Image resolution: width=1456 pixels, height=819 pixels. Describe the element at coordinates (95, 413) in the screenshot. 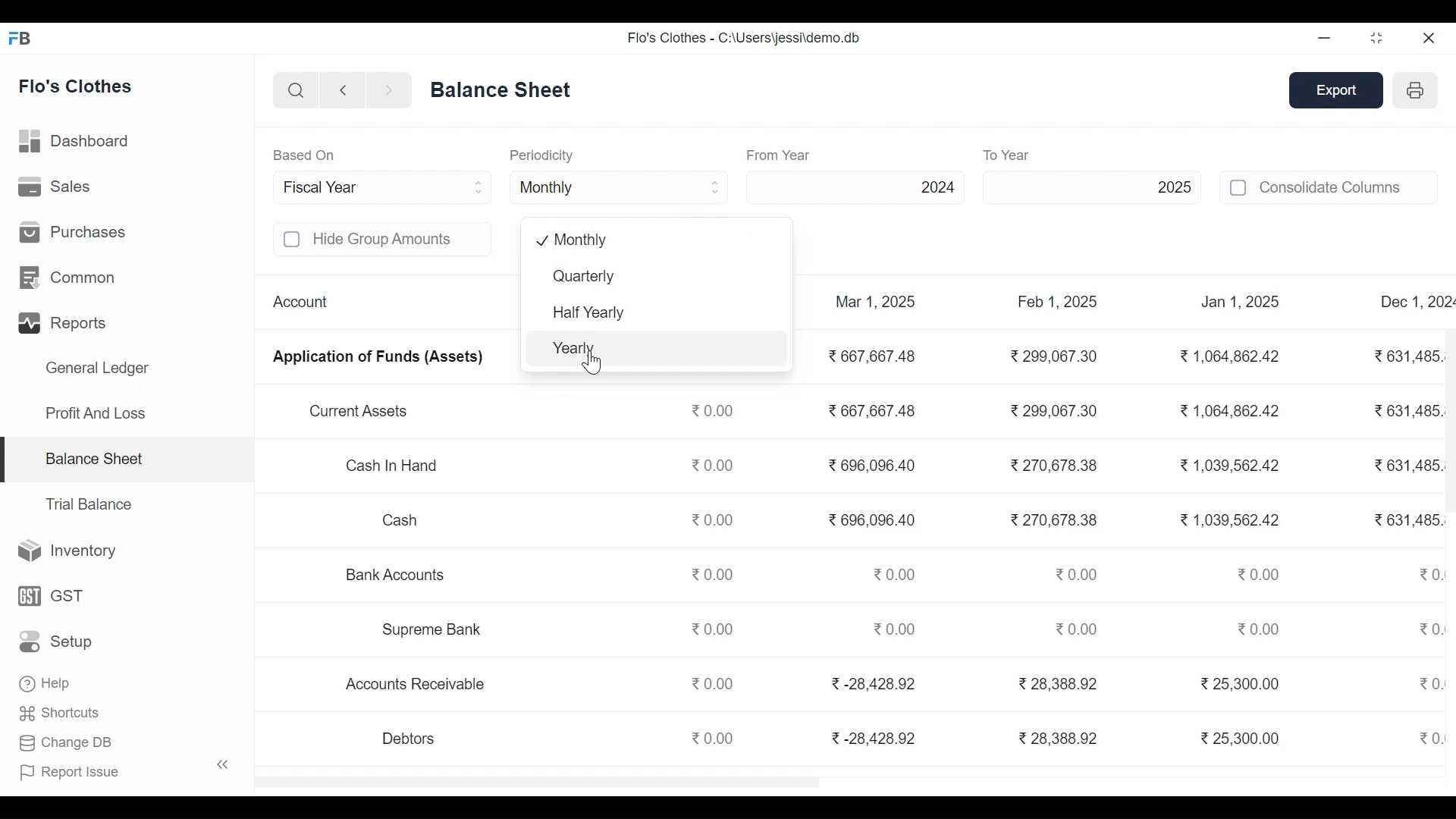

I see `Profit And Loss` at that location.